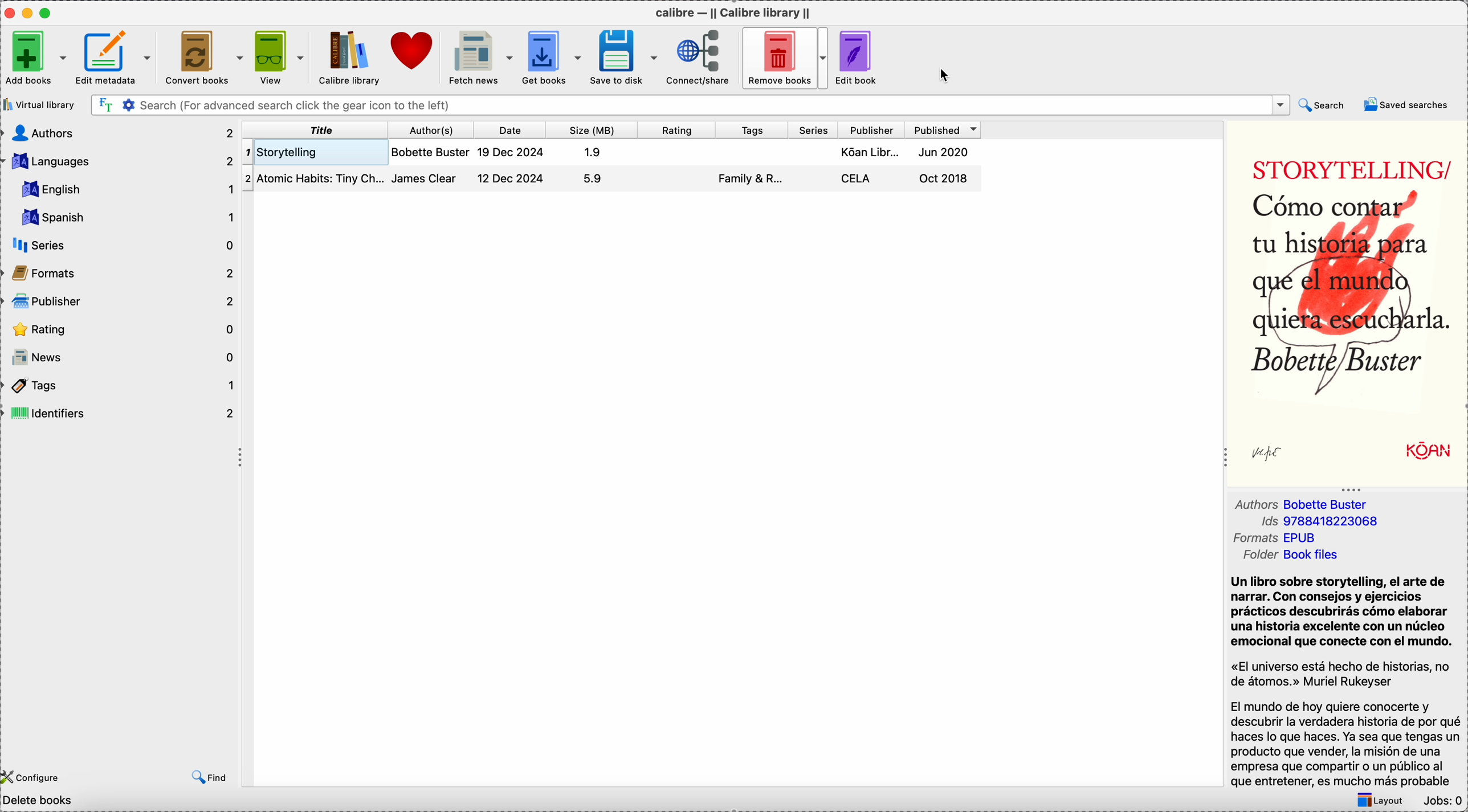  What do you see at coordinates (125, 217) in the screenshot?
I see `spanish language` at bounding box center [125, 217].